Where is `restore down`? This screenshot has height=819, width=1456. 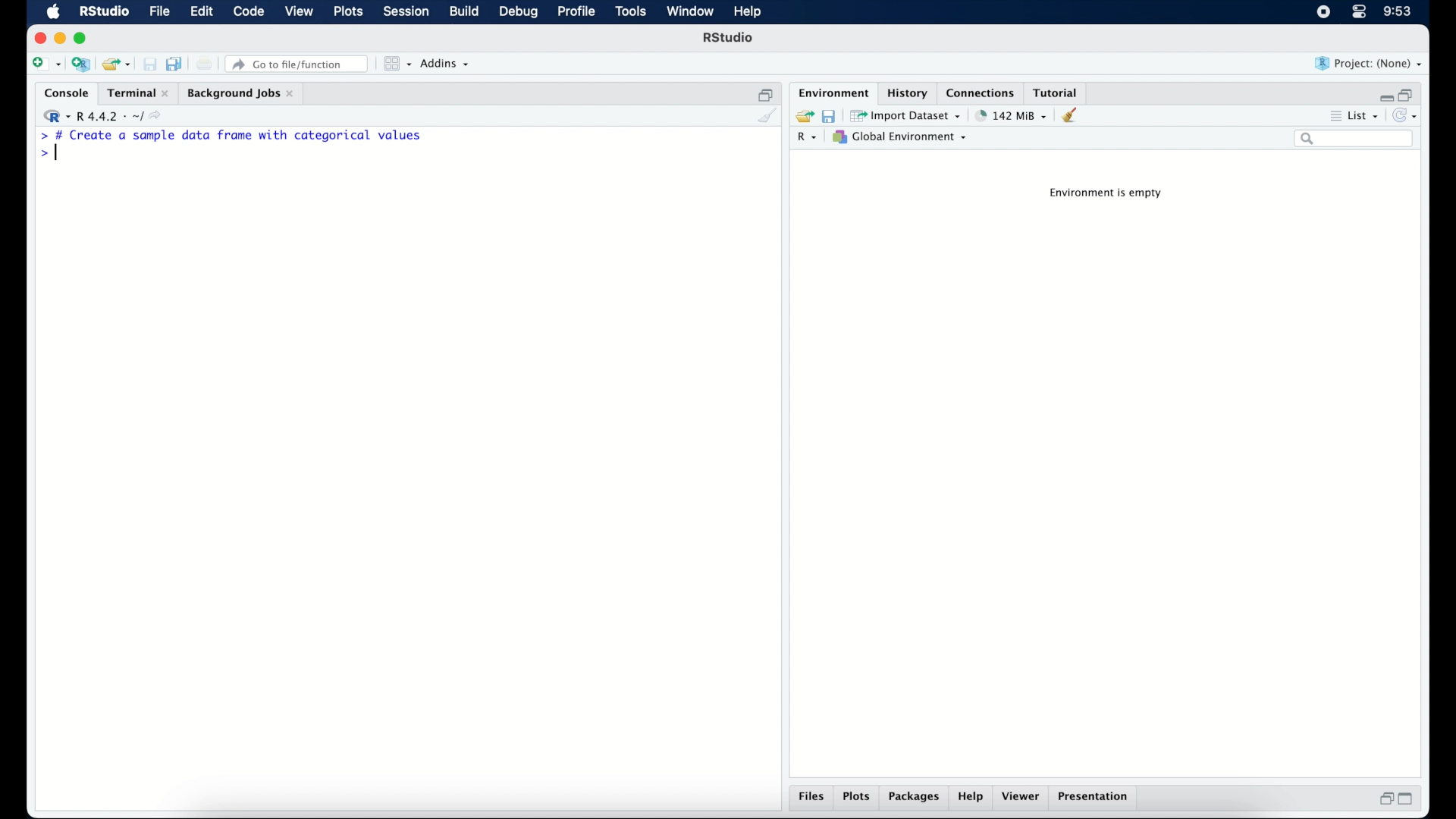 restore down is located at coordinates (1384, 799).